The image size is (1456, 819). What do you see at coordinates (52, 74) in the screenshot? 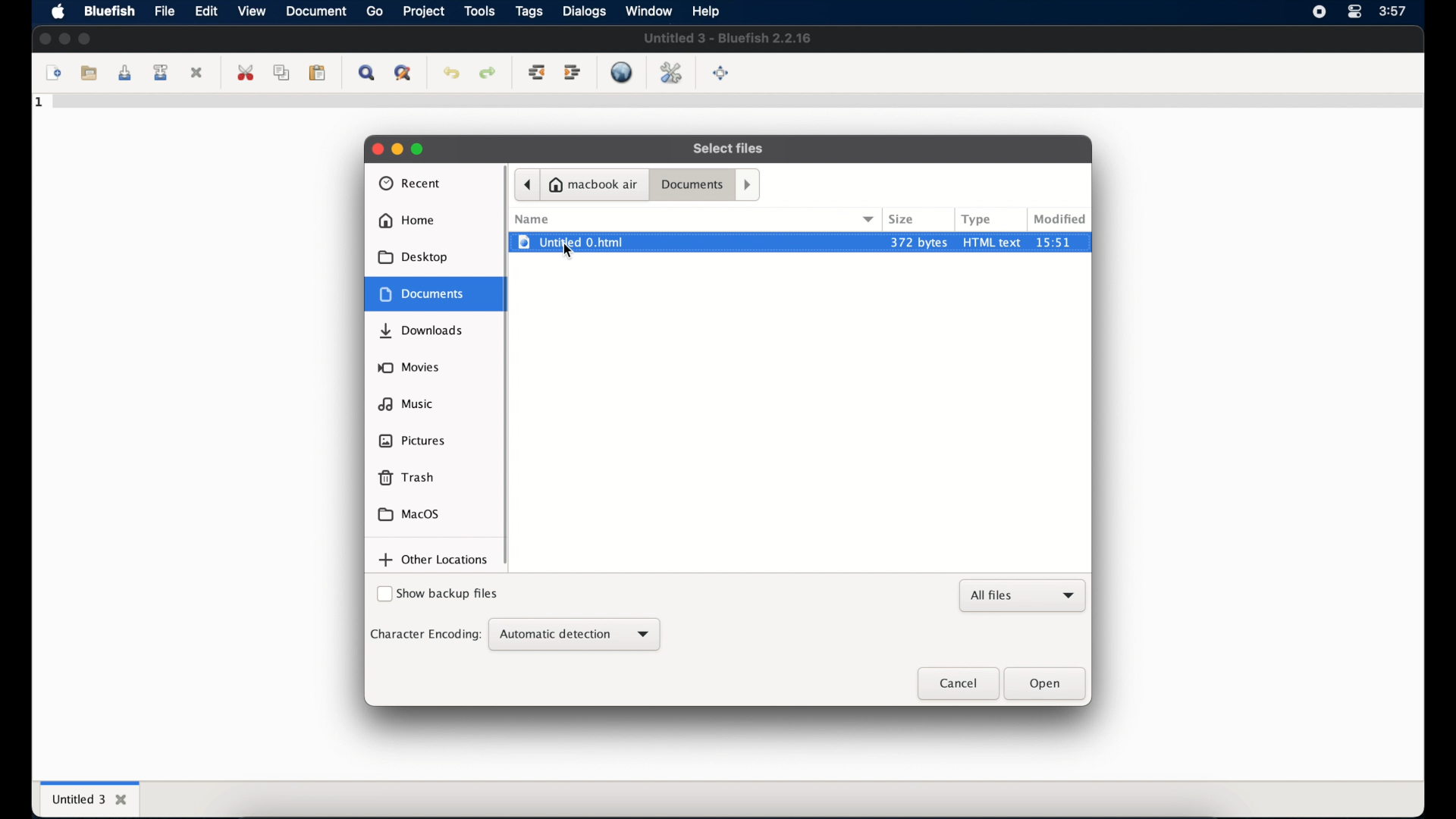
I see `new` at bounding box center [52, 74].